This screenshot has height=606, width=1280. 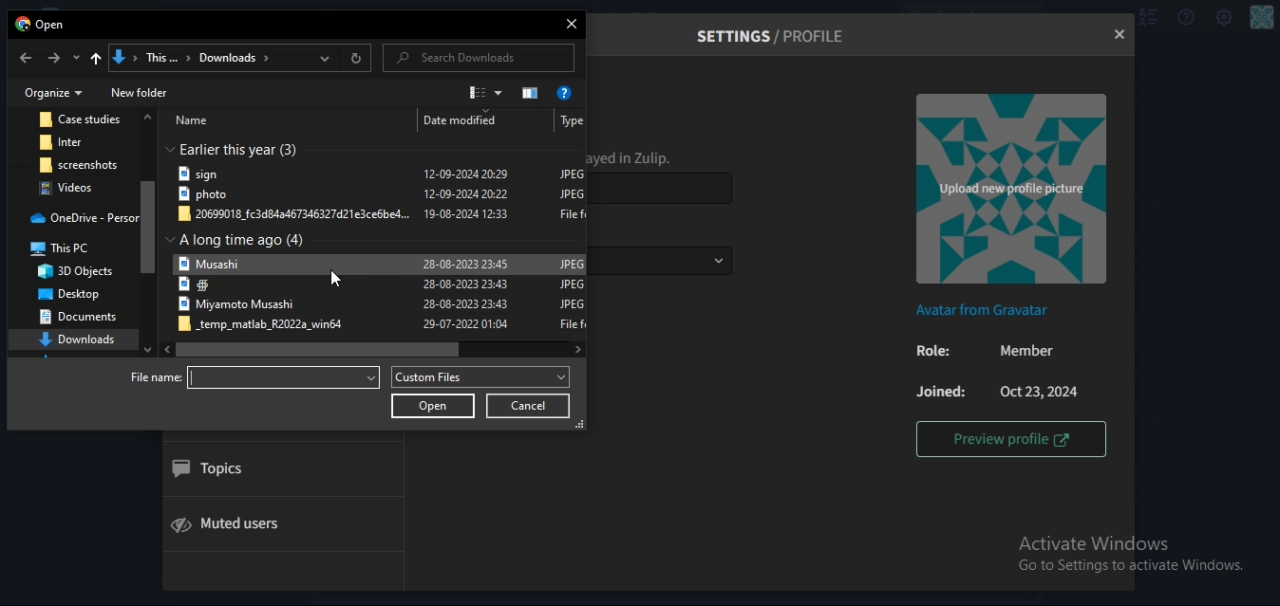 What do you see at coordinates (148, 118) in the screenshot?
I see `scroll up` at bounding box center [148, 118].